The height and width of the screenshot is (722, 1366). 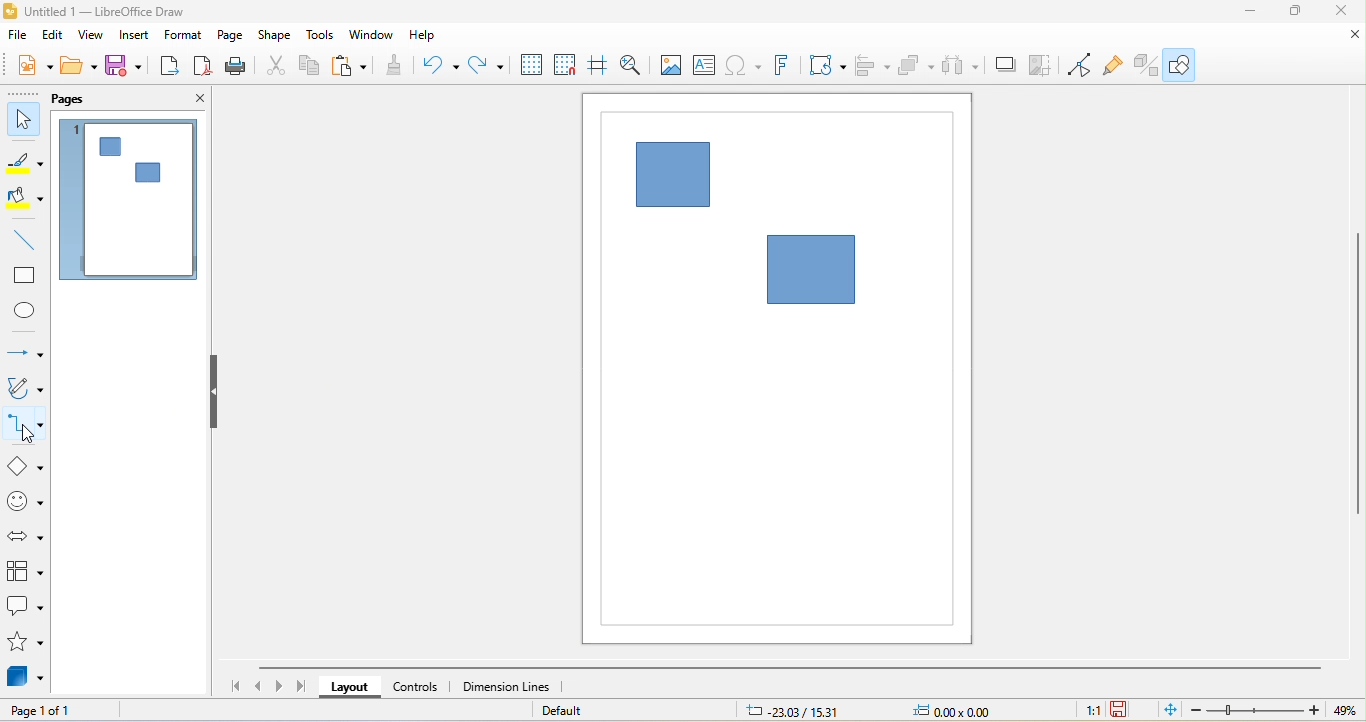 I want to click on undo, so click(x=443, y=67).